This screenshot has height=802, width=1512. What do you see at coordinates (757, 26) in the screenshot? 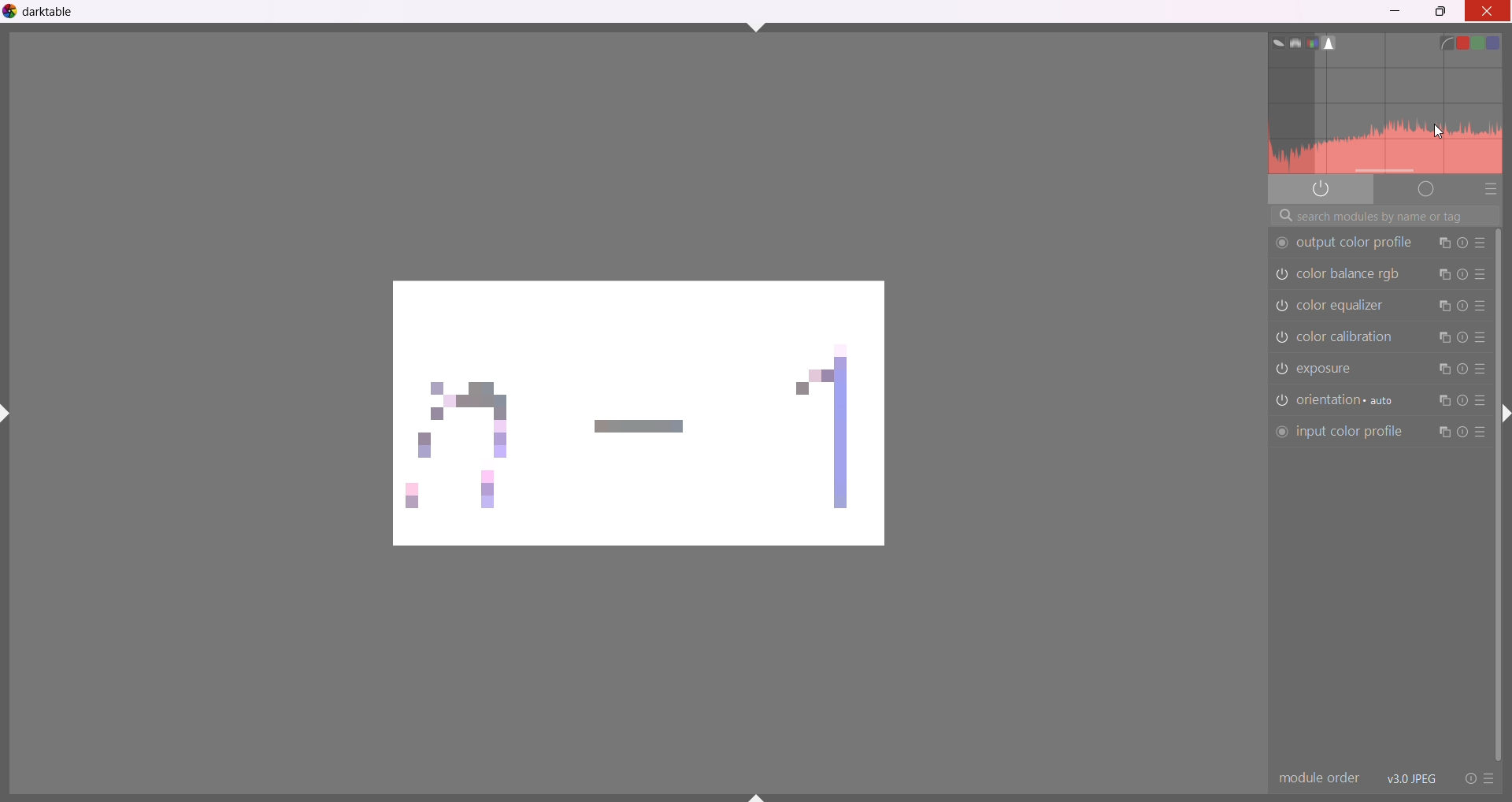
I see `shift+ctrl+t` at bounding box center [757, 26].